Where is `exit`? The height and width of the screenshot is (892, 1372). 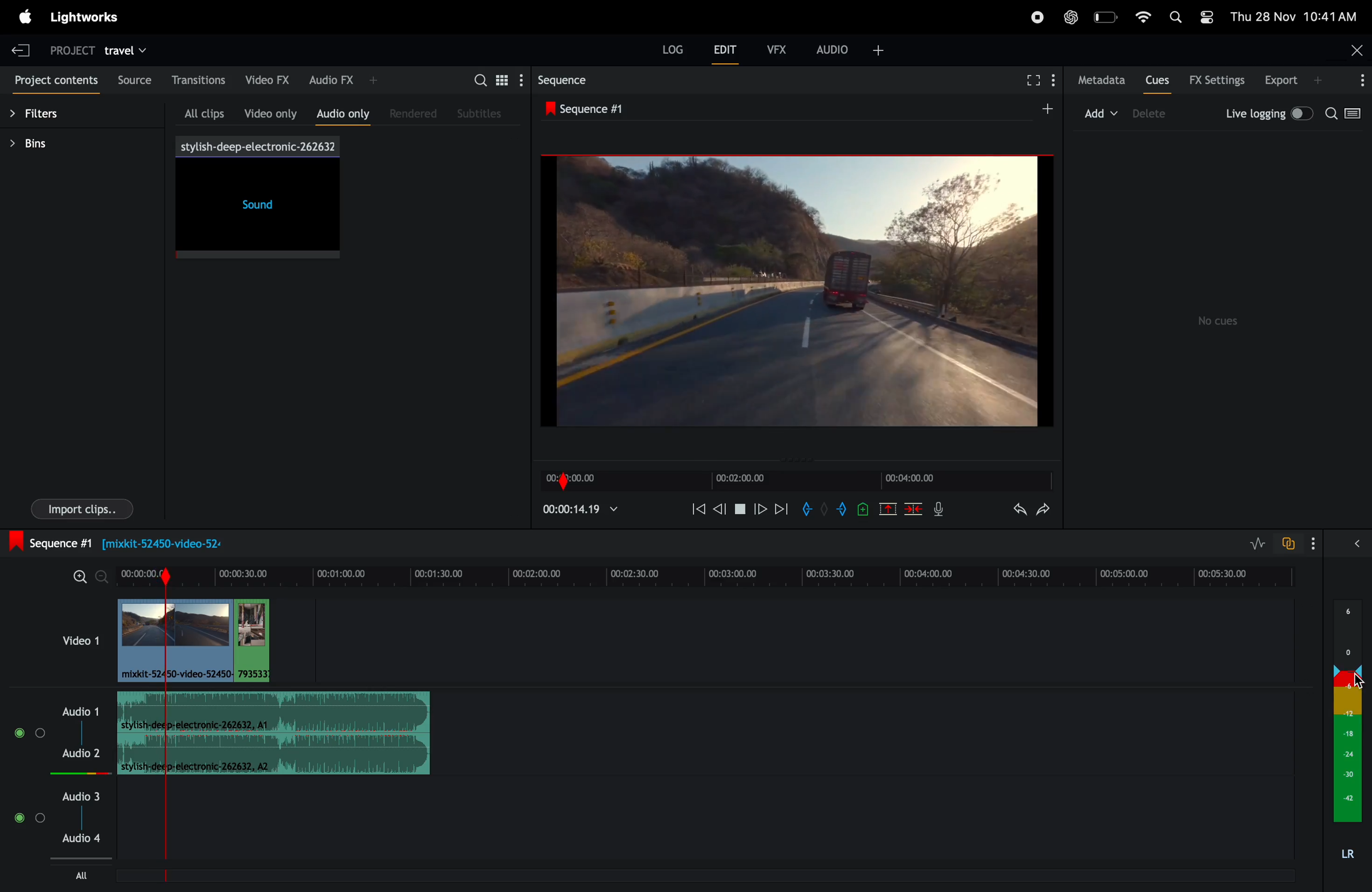
exit is located at coordinates (22, 47).